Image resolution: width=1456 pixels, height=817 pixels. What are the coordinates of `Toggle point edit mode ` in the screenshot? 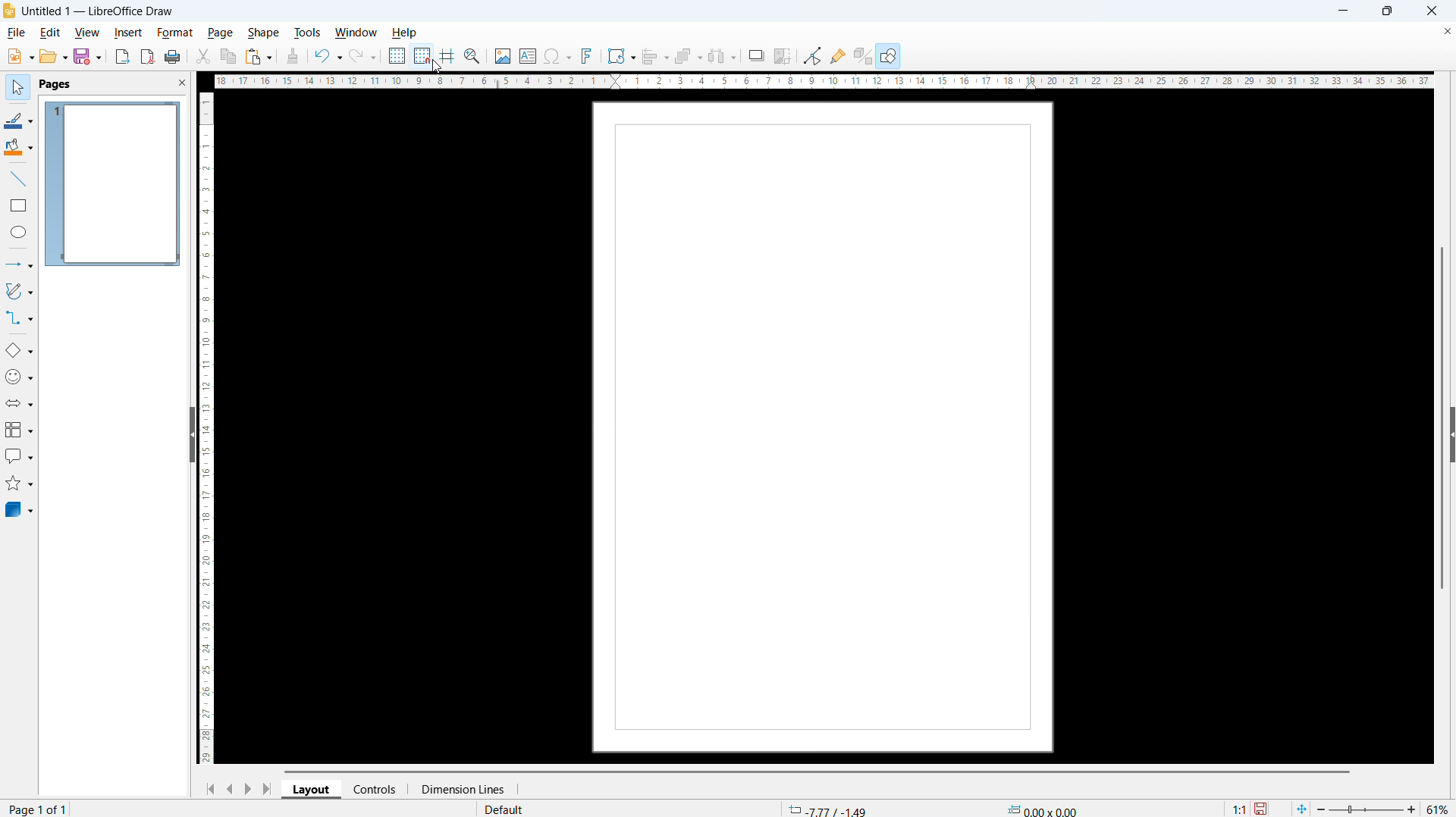 It's located at (812, 55).